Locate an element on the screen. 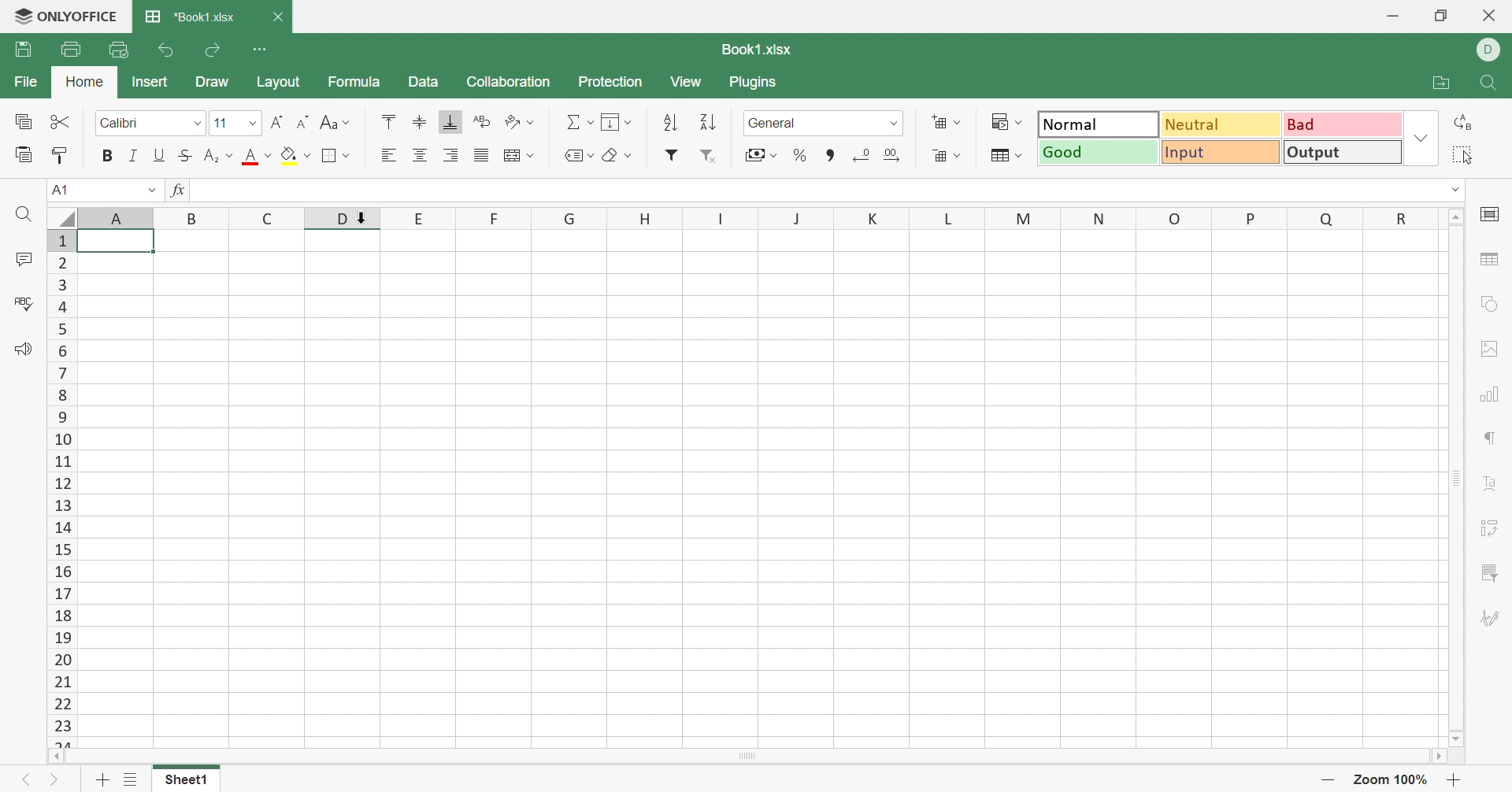 The height and width of the screenshot is (792, 1512). Drop Down is located at coordinates (347, 122).